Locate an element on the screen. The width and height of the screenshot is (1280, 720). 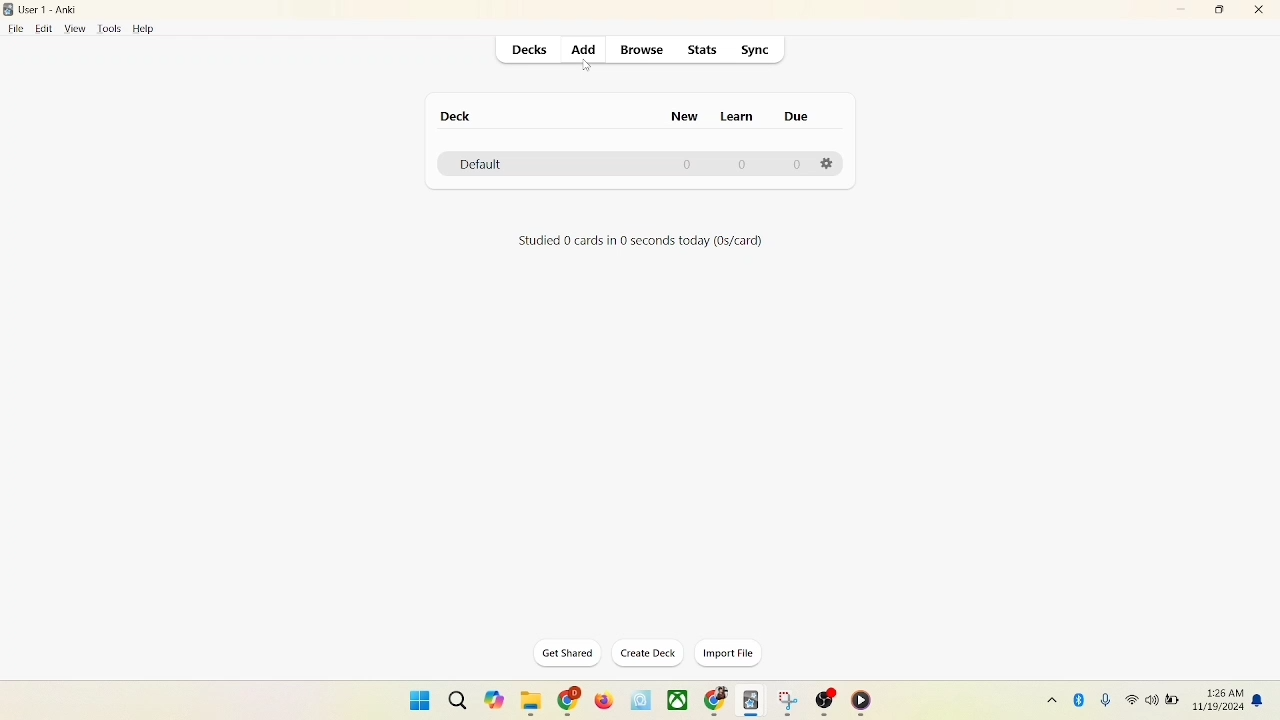
 is located at coordinates (689, 166).